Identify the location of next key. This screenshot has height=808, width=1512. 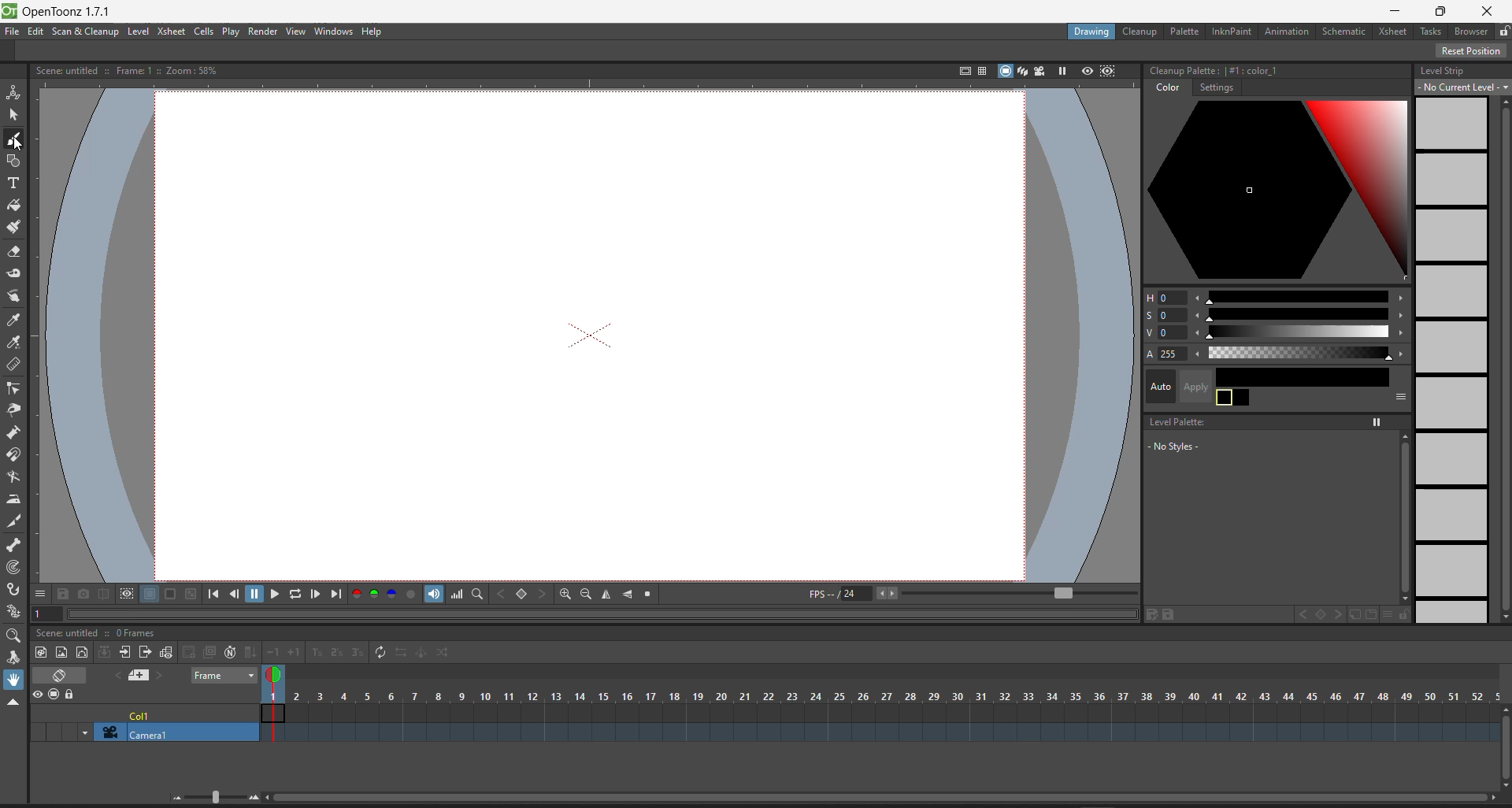
(1338, 613).